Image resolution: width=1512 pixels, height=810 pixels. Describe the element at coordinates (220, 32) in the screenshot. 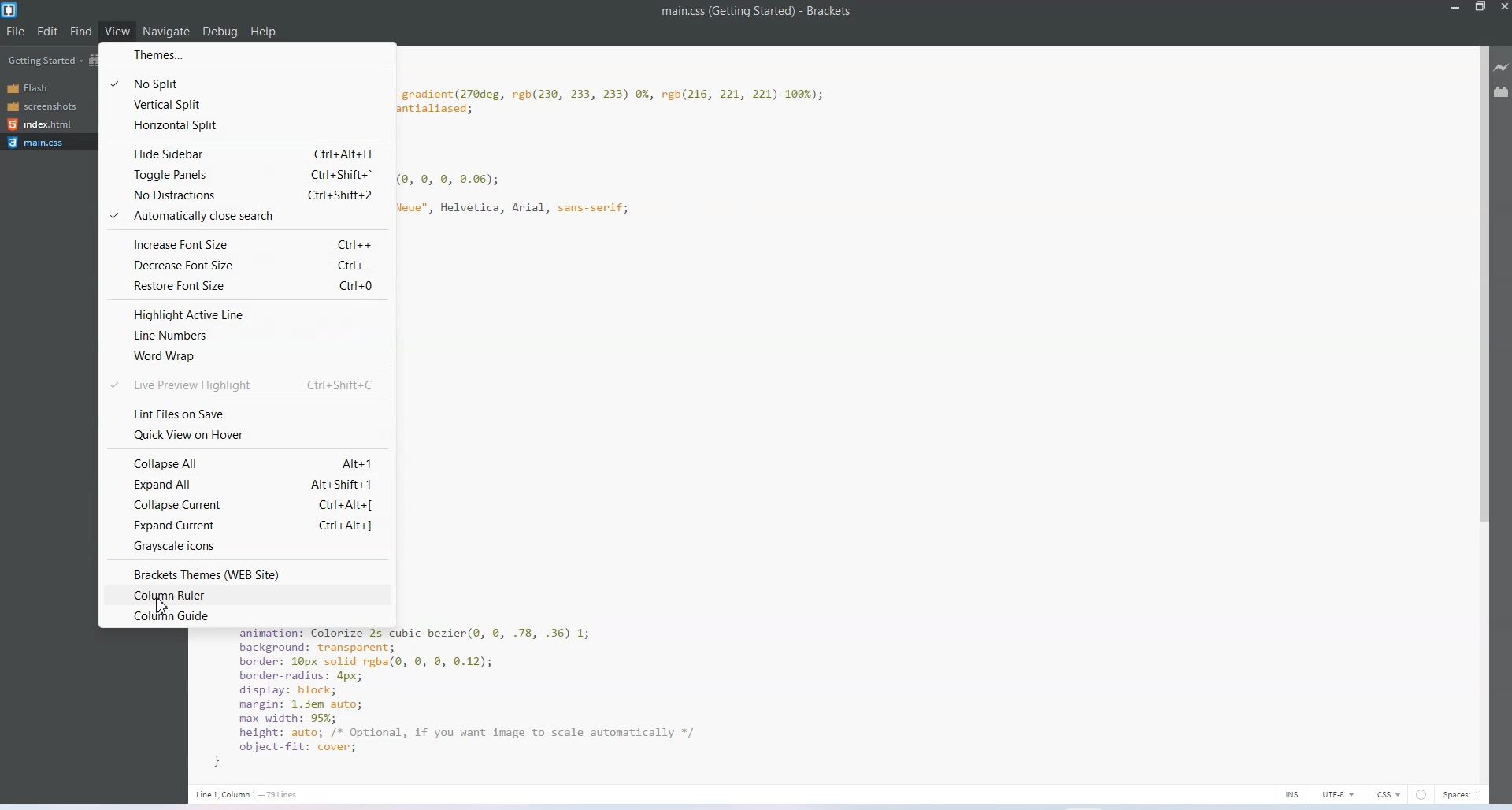

I see `Debug` at that location.